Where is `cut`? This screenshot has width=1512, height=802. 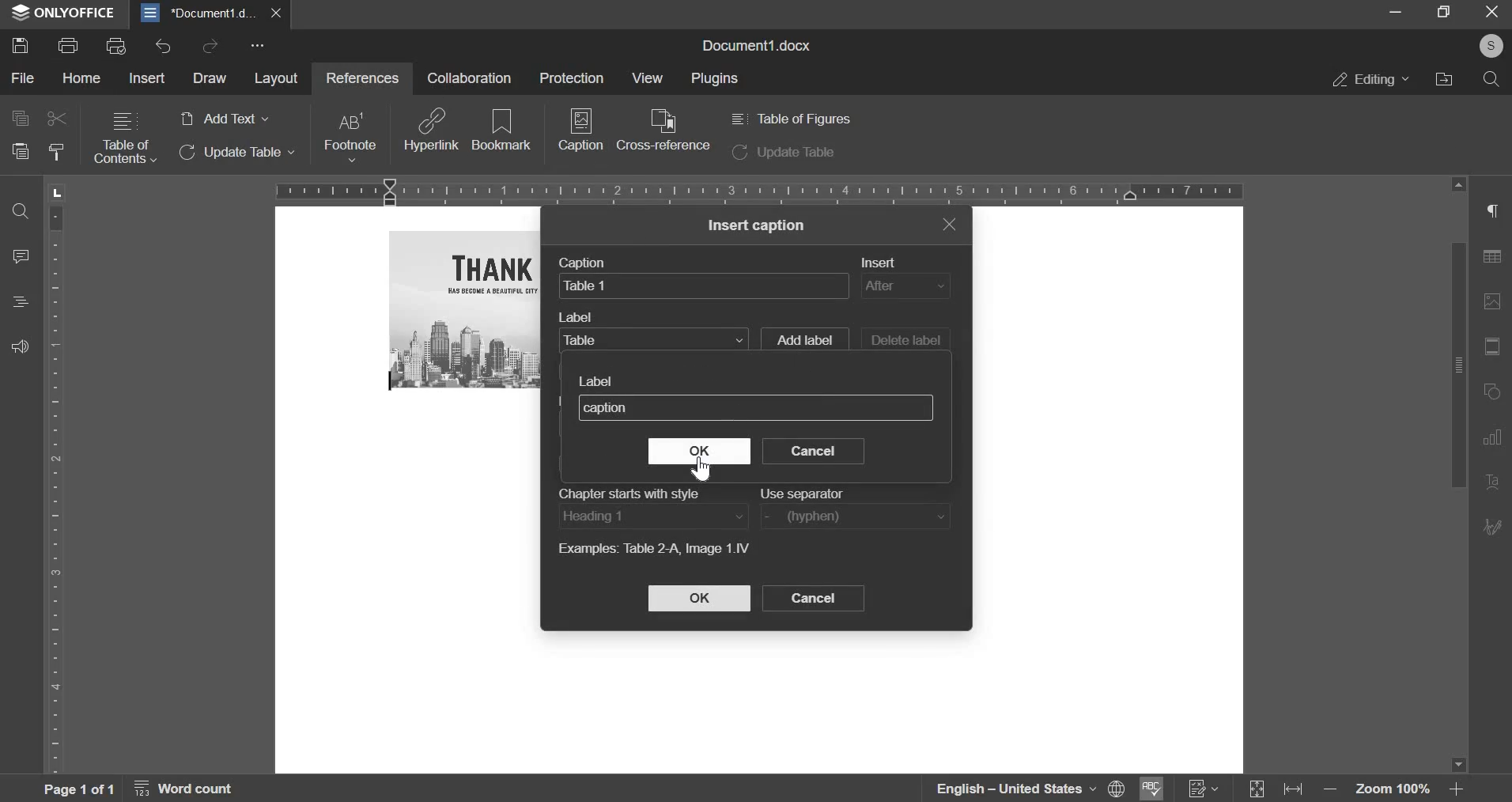
cut is located at coordinates (58, 119).